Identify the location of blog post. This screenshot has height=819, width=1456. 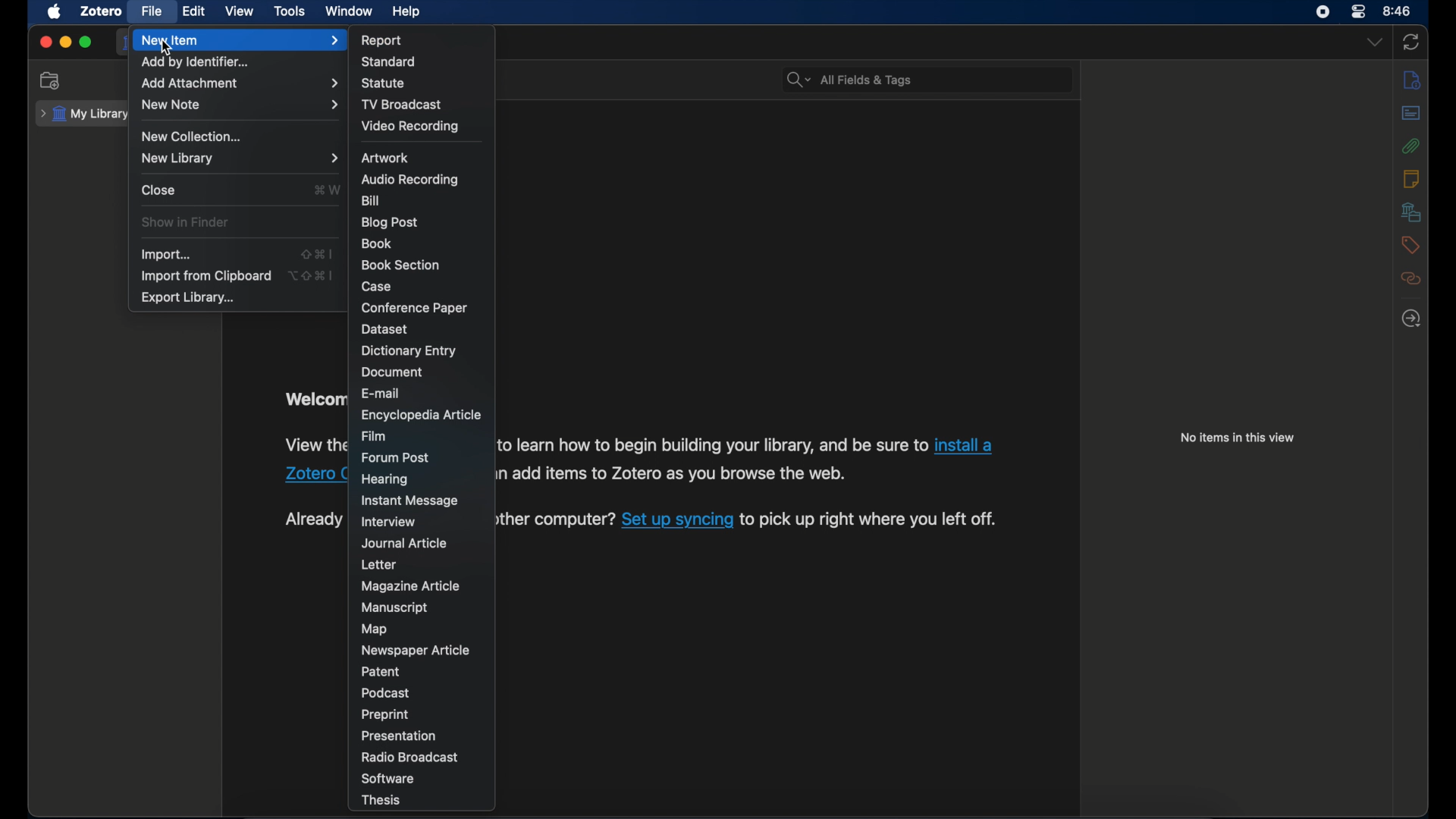
(390, 222).